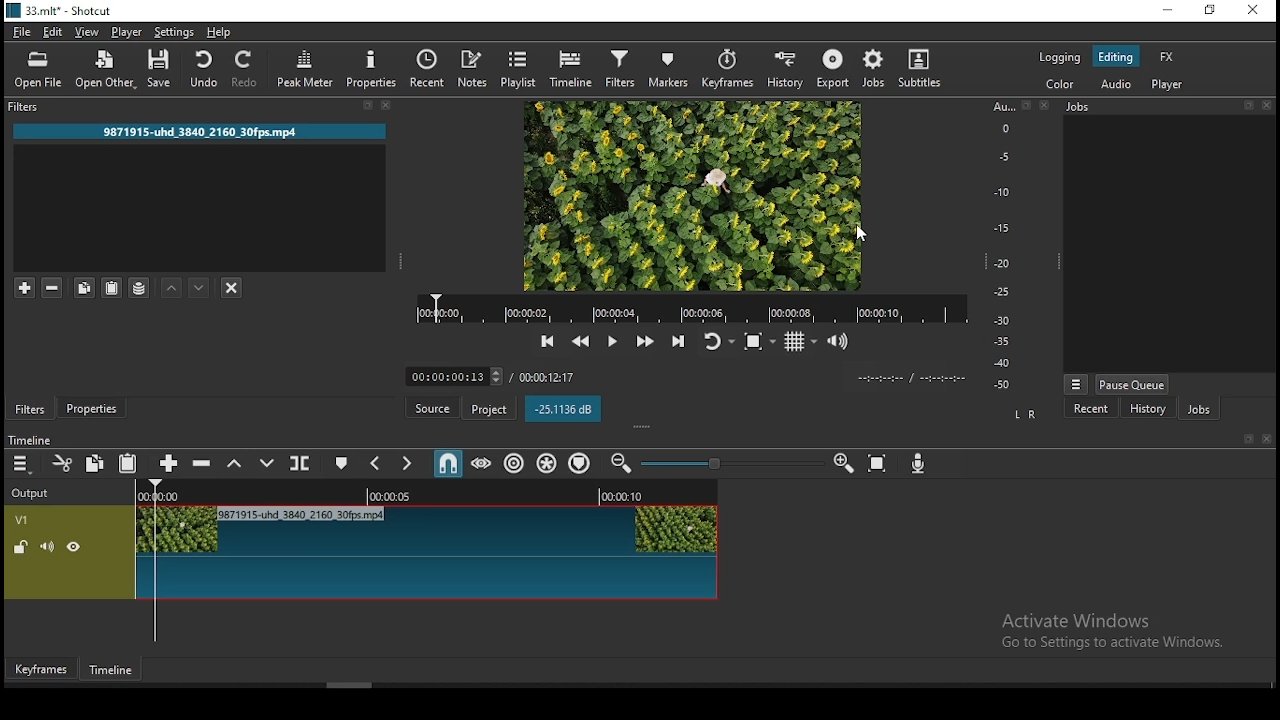 Image resolution: width=1280 pixels, height=720 pixels. Describe the element at coordinates (1149, 407) in the screenshot. I see `history` at that location.